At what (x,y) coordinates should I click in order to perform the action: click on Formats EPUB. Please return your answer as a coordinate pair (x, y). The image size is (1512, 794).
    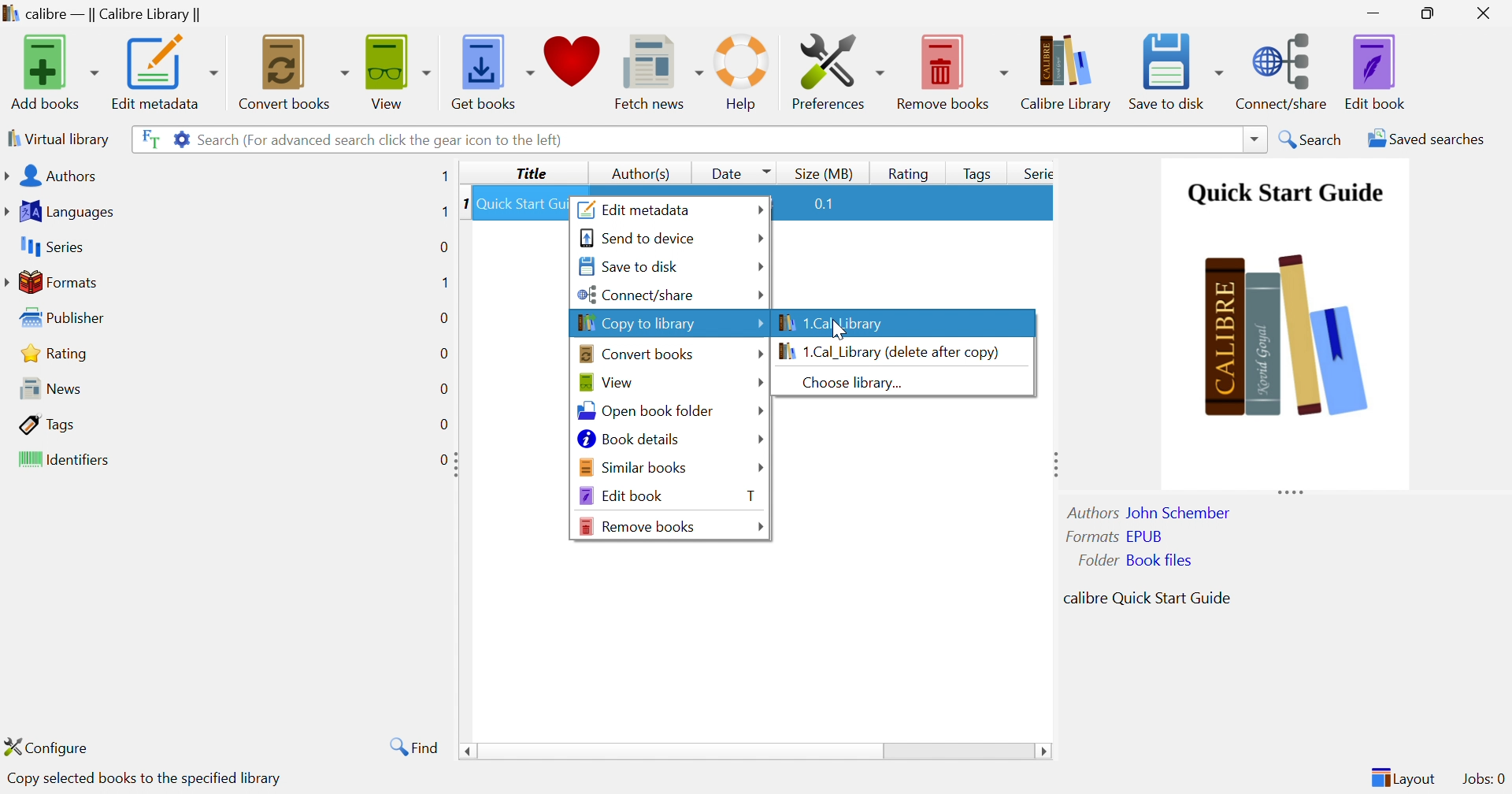
    Looking at the image, I should click on (1114, 536).